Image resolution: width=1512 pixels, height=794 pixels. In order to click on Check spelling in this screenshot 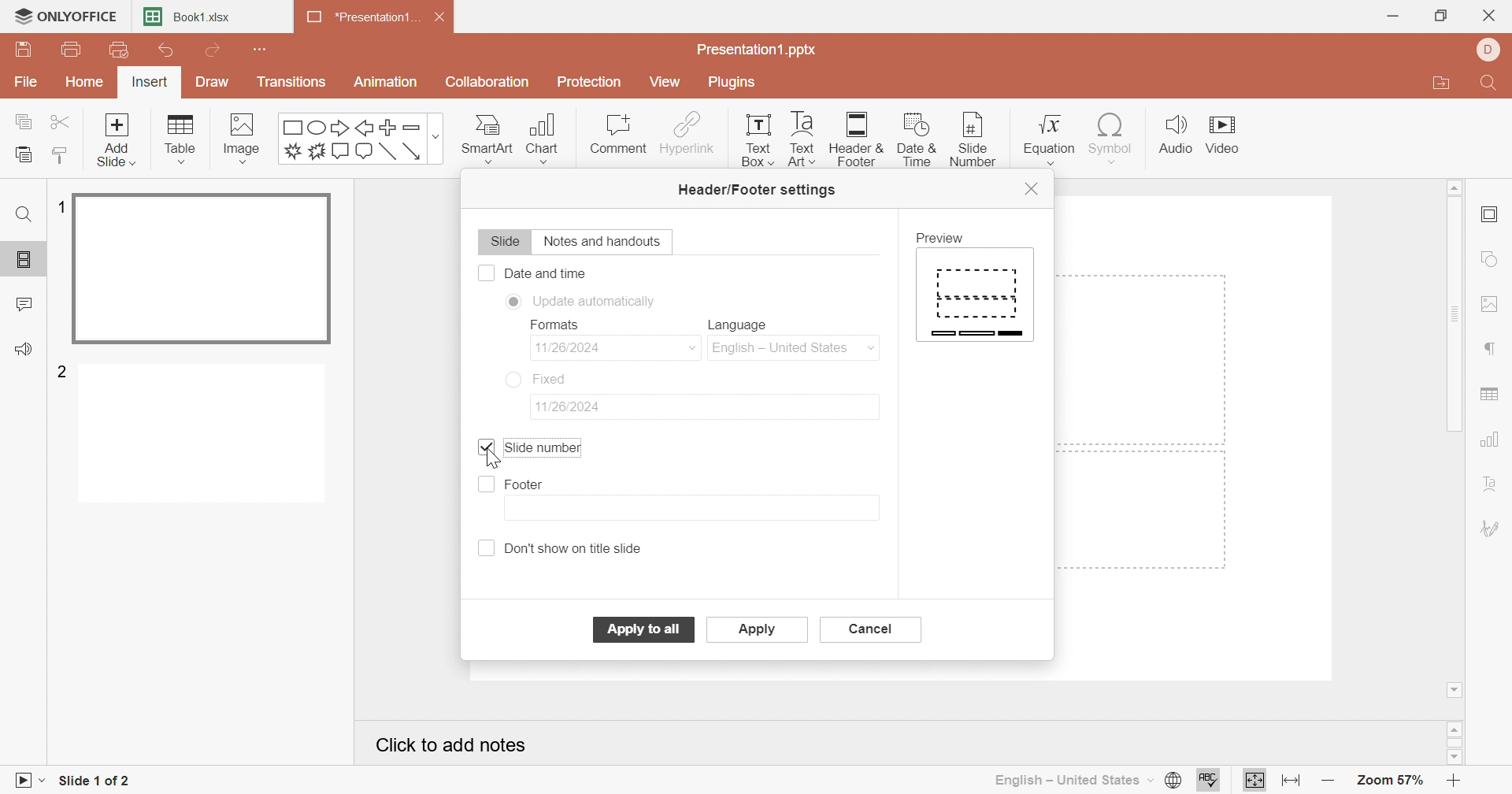, I will do `click(1208, 782)`.